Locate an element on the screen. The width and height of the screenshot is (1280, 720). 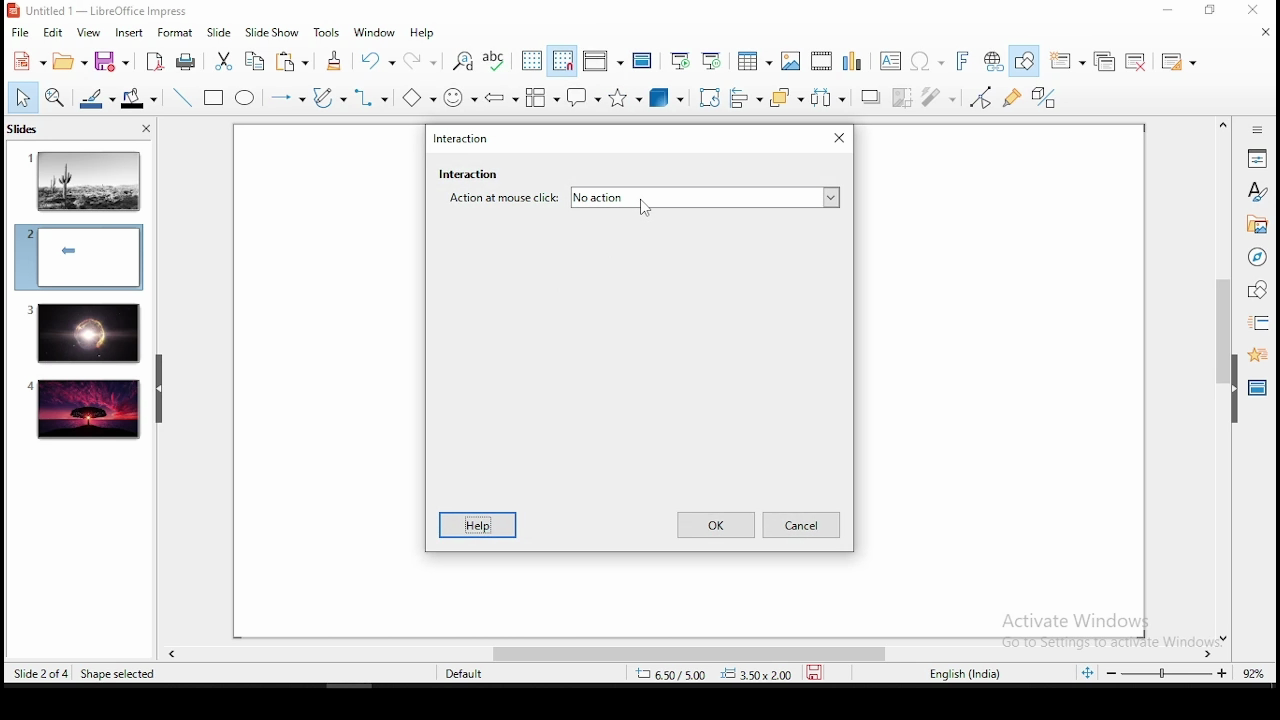
connectors is located at coordinates (368, 98).